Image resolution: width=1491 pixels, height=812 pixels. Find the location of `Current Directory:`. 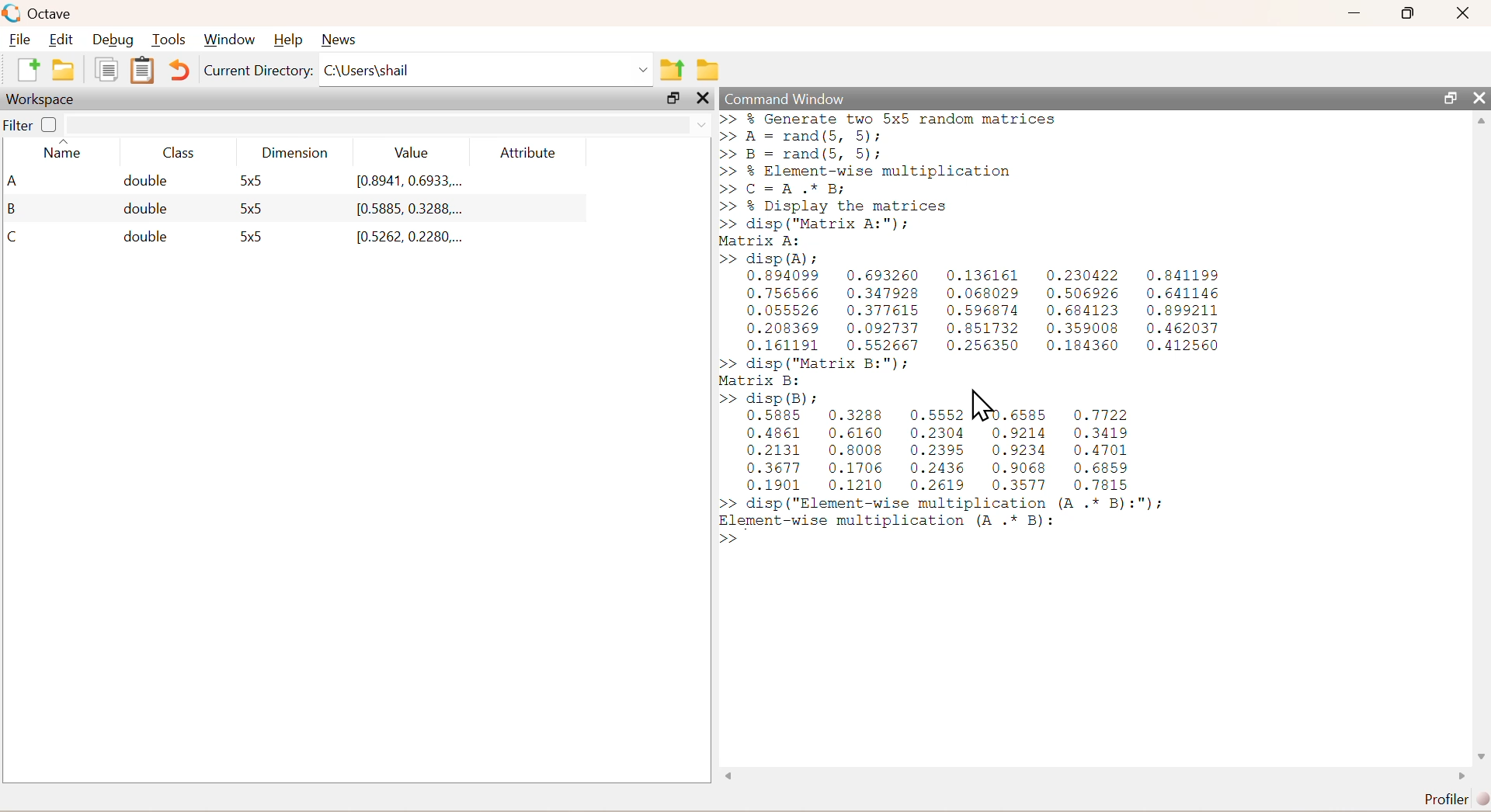

Current Directory: is located at coordinates (257, 75).